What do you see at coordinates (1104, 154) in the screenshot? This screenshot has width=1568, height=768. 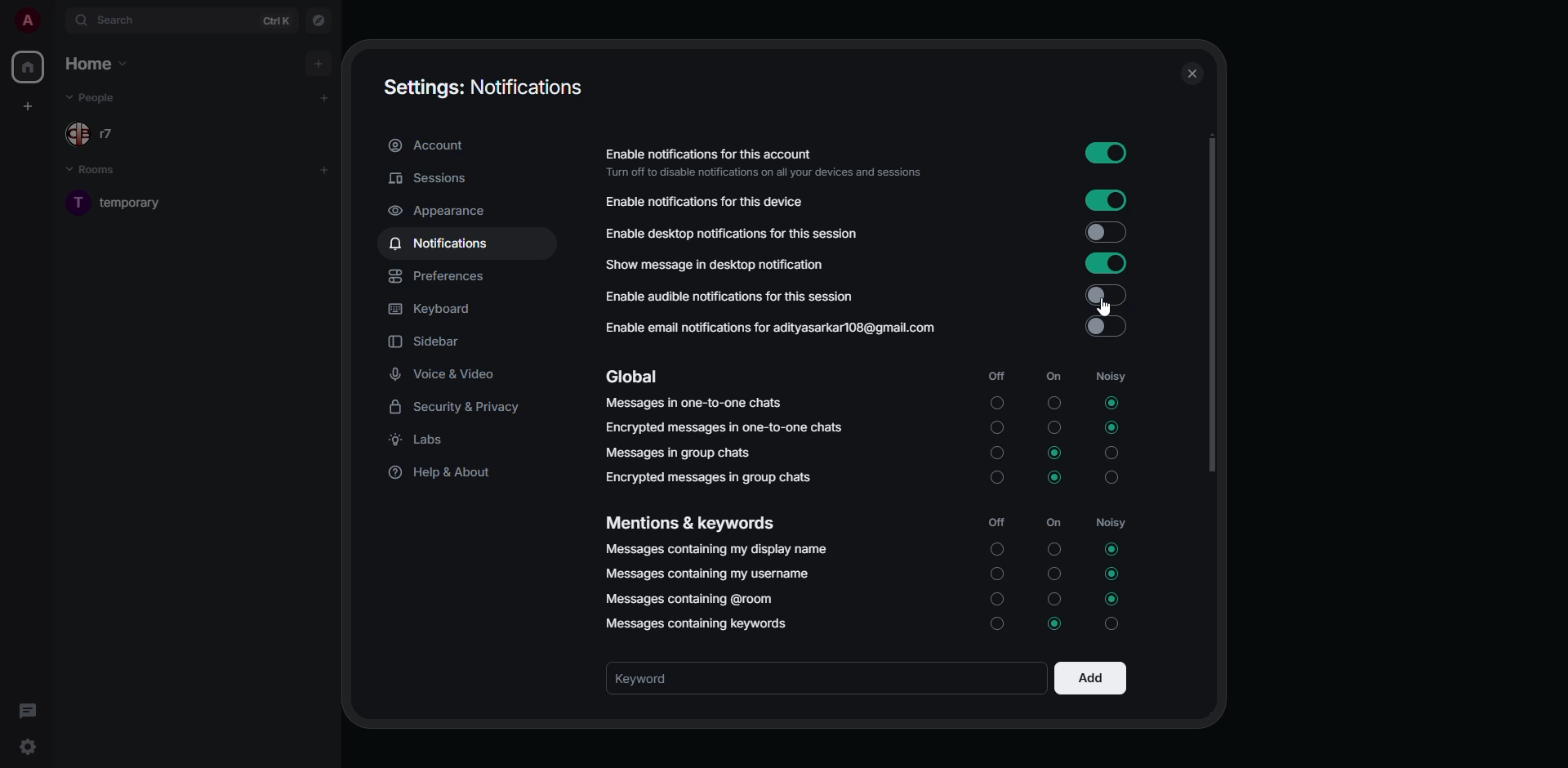 I see `enabled` at bounding box center [1104, 154].